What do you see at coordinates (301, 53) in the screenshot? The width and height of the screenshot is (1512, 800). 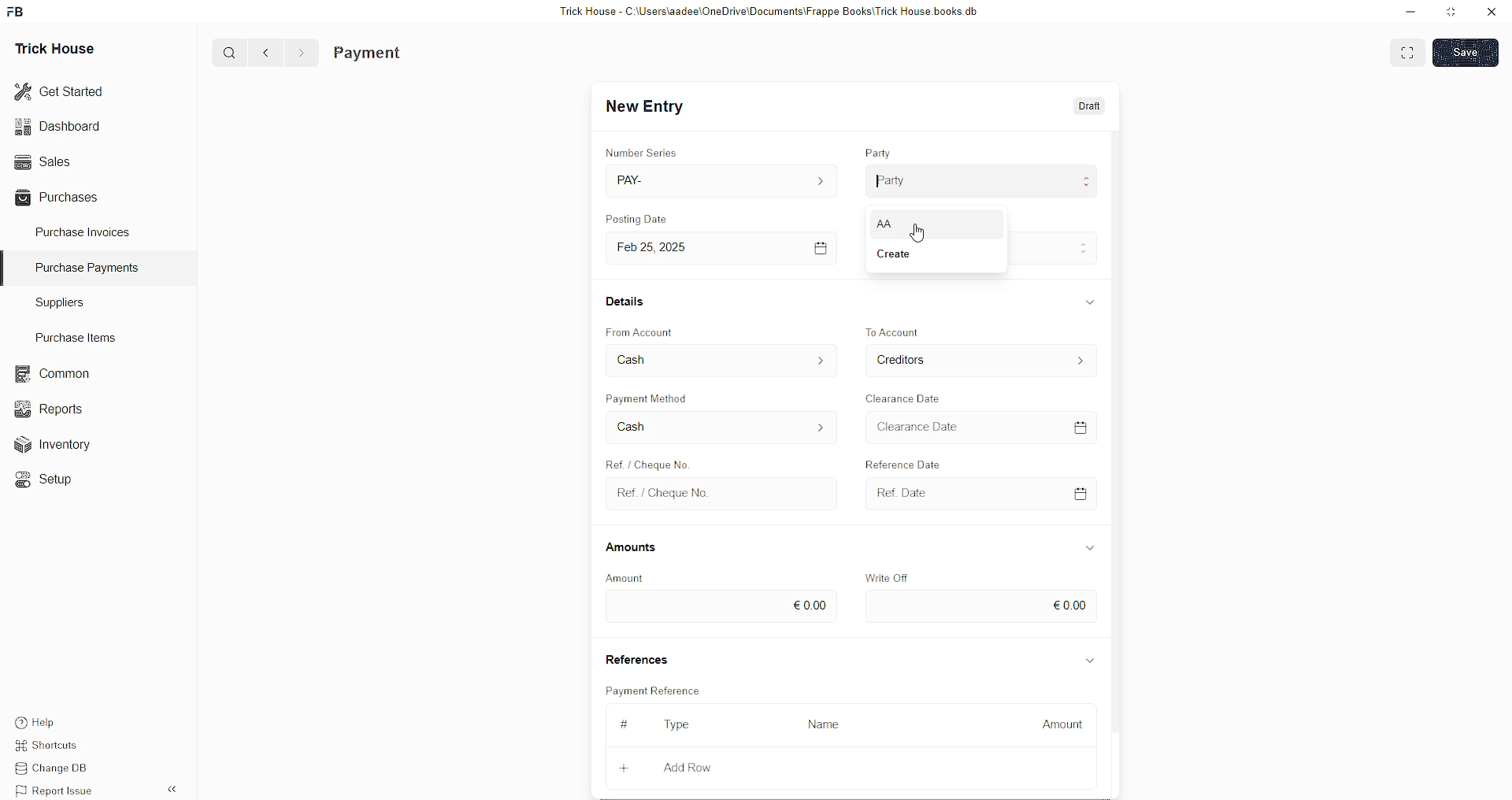 I see `>` at bounding box center [301, 53].